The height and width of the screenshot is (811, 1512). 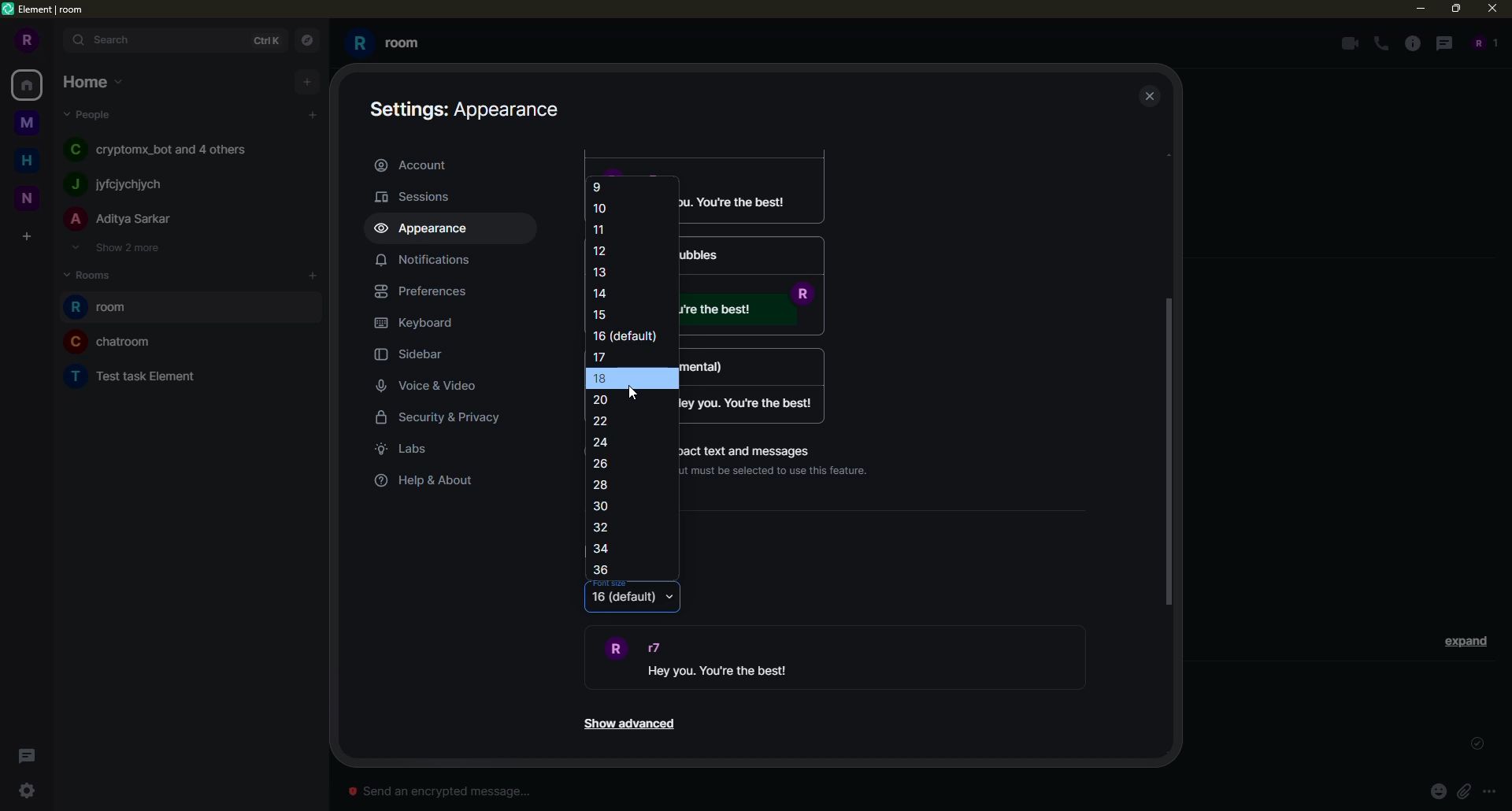 What do you see at coordinates (28, 124) in the screenshot?
I see `space` at bounding box center [28, 124].